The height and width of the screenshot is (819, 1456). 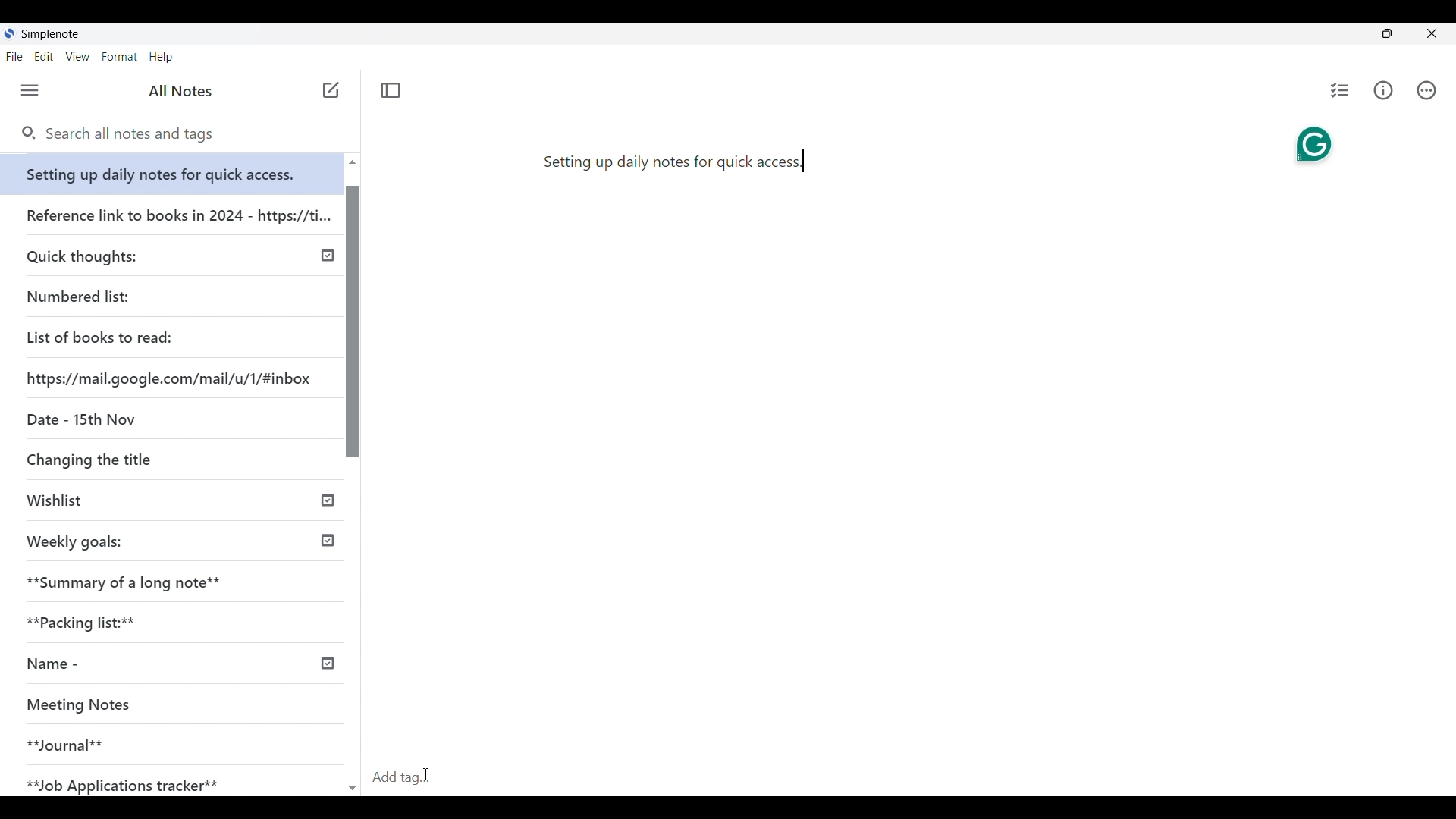 I want to click on published, so click(x=328, y=541).